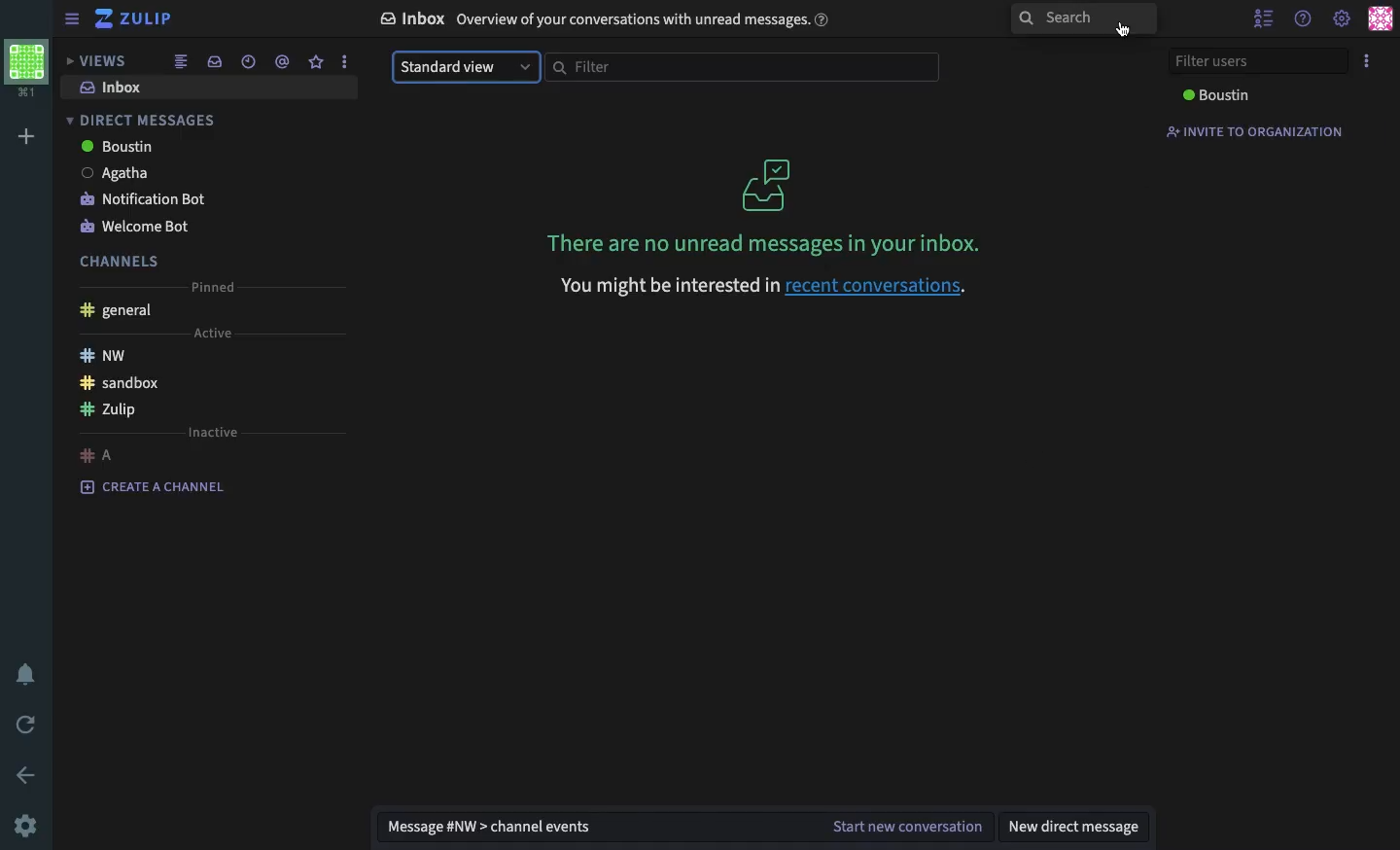 The image size is (1400, 850). What do you see at coordinates (1343, 18) in the screenshot?
I see `settings` at bounding box center [1343, 18].